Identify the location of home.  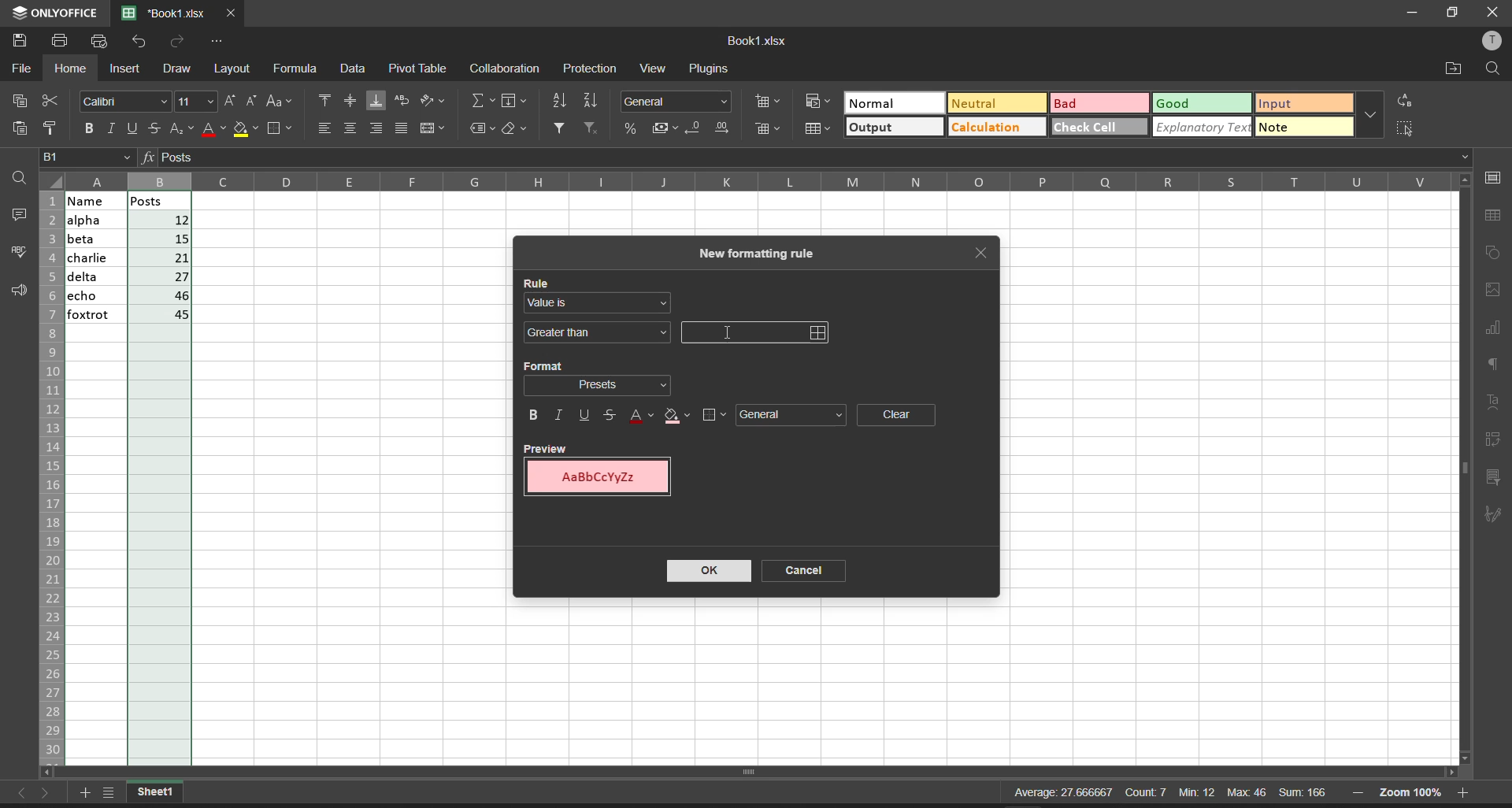
(73, 70).